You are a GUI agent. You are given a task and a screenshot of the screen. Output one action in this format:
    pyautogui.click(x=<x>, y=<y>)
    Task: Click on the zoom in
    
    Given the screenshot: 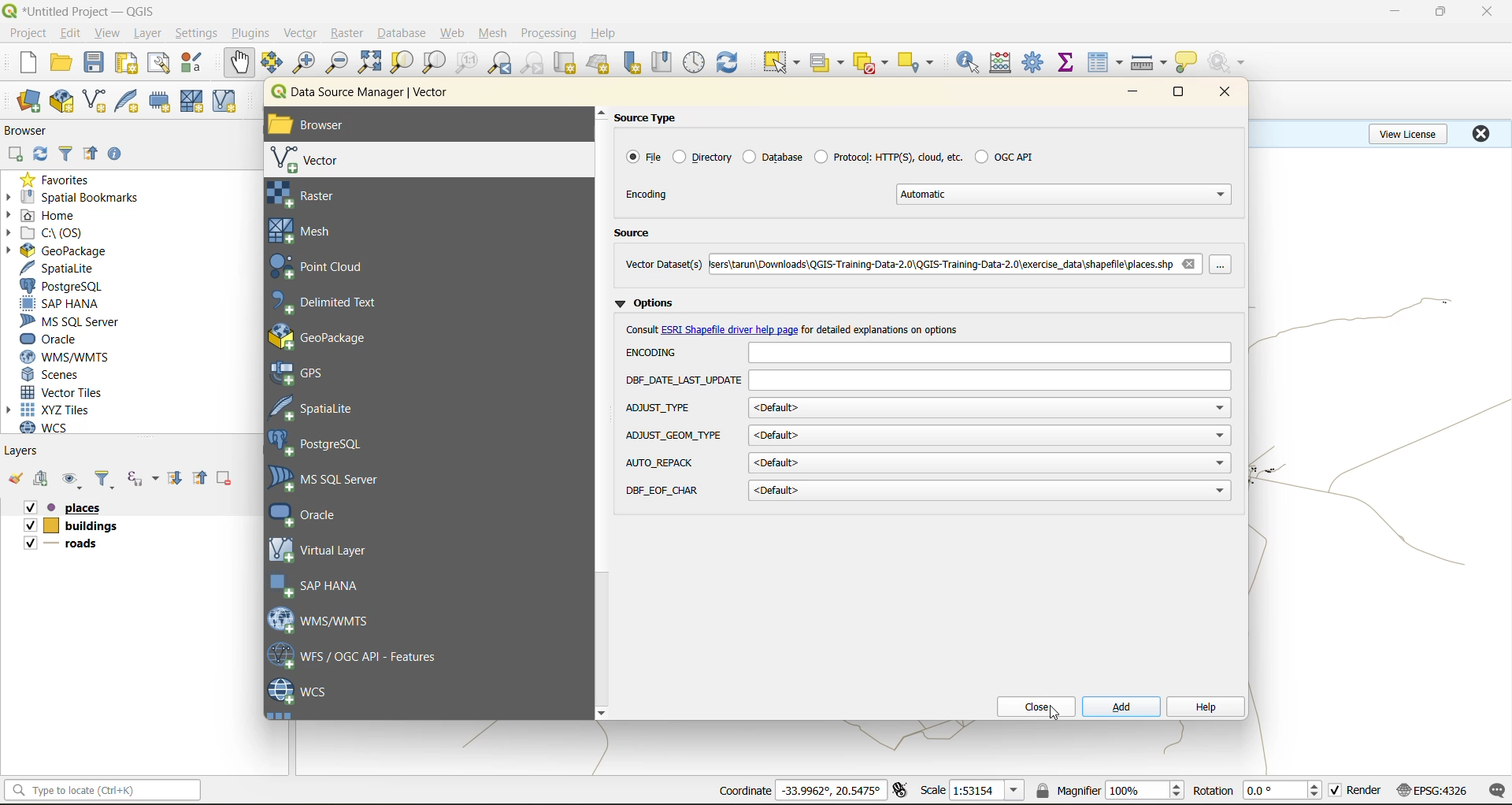 What is the action you would take?
    pyautogui.click(x=307, y=63)
    